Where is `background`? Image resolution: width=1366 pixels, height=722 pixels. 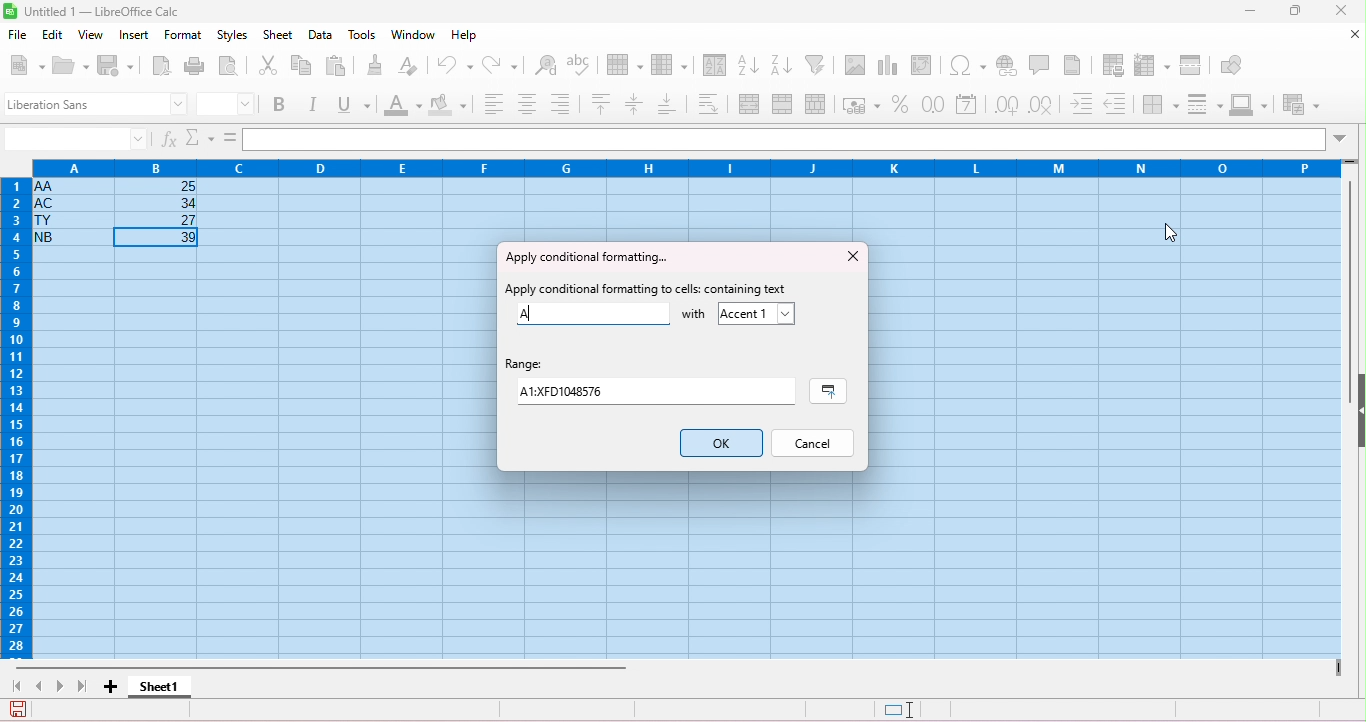 background is located at coordinates (449, 106).